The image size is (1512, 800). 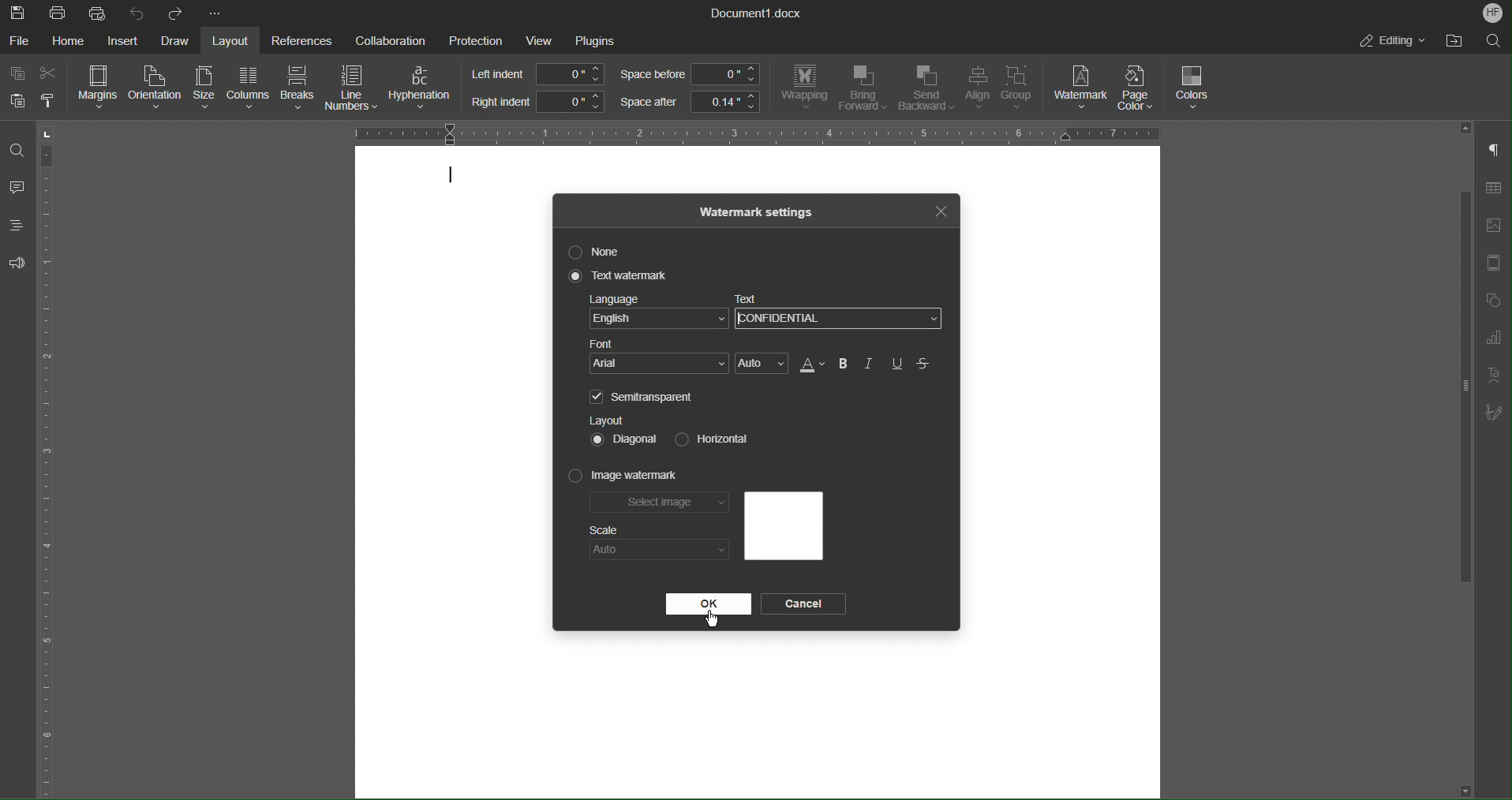 What do you see at coordinates (16, 225) in the screenshot?
I see `Headings` at bounding box center [16, 225].